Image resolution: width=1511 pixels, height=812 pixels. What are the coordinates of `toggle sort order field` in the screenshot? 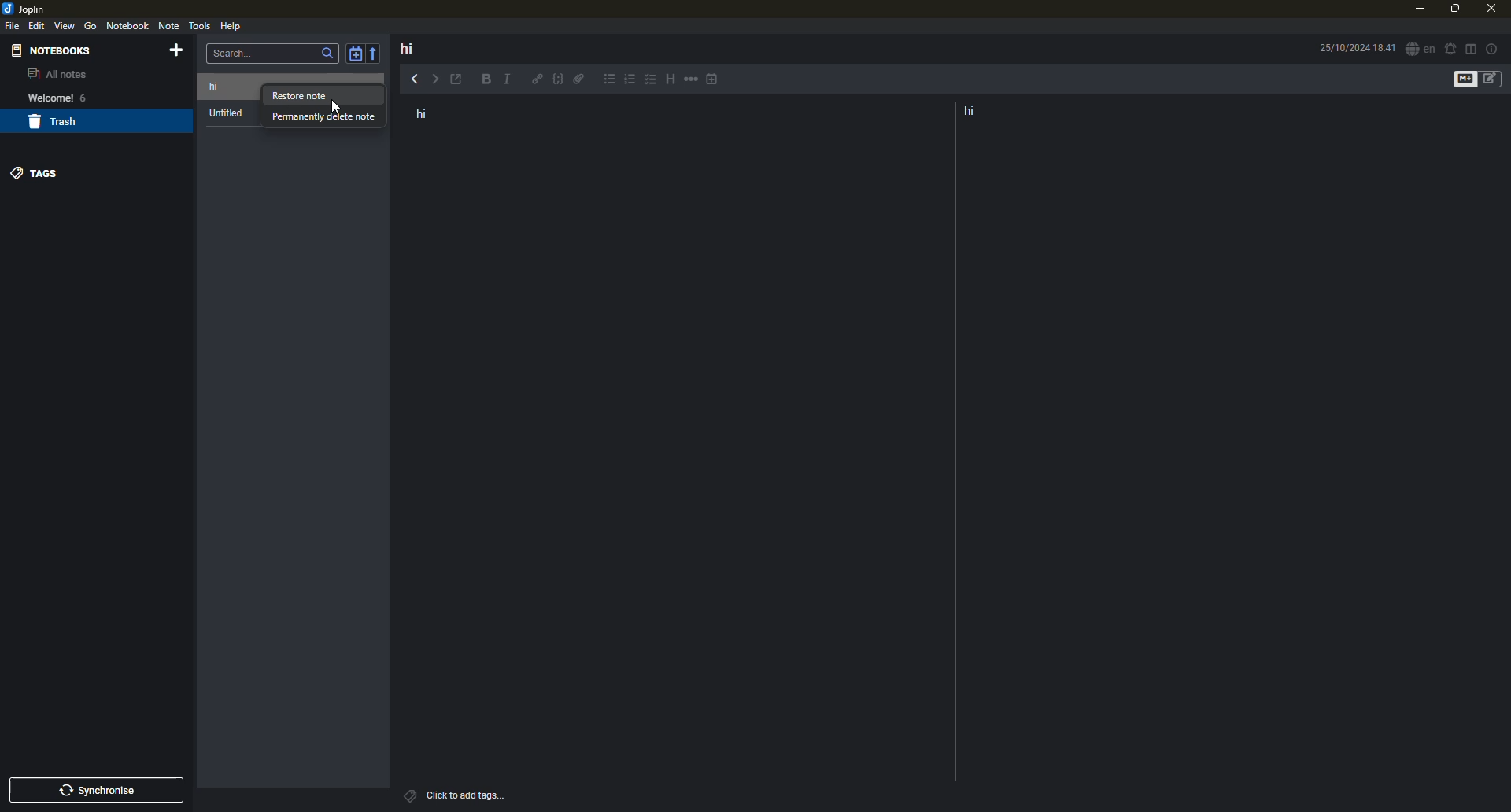 It's located at (354, 54).